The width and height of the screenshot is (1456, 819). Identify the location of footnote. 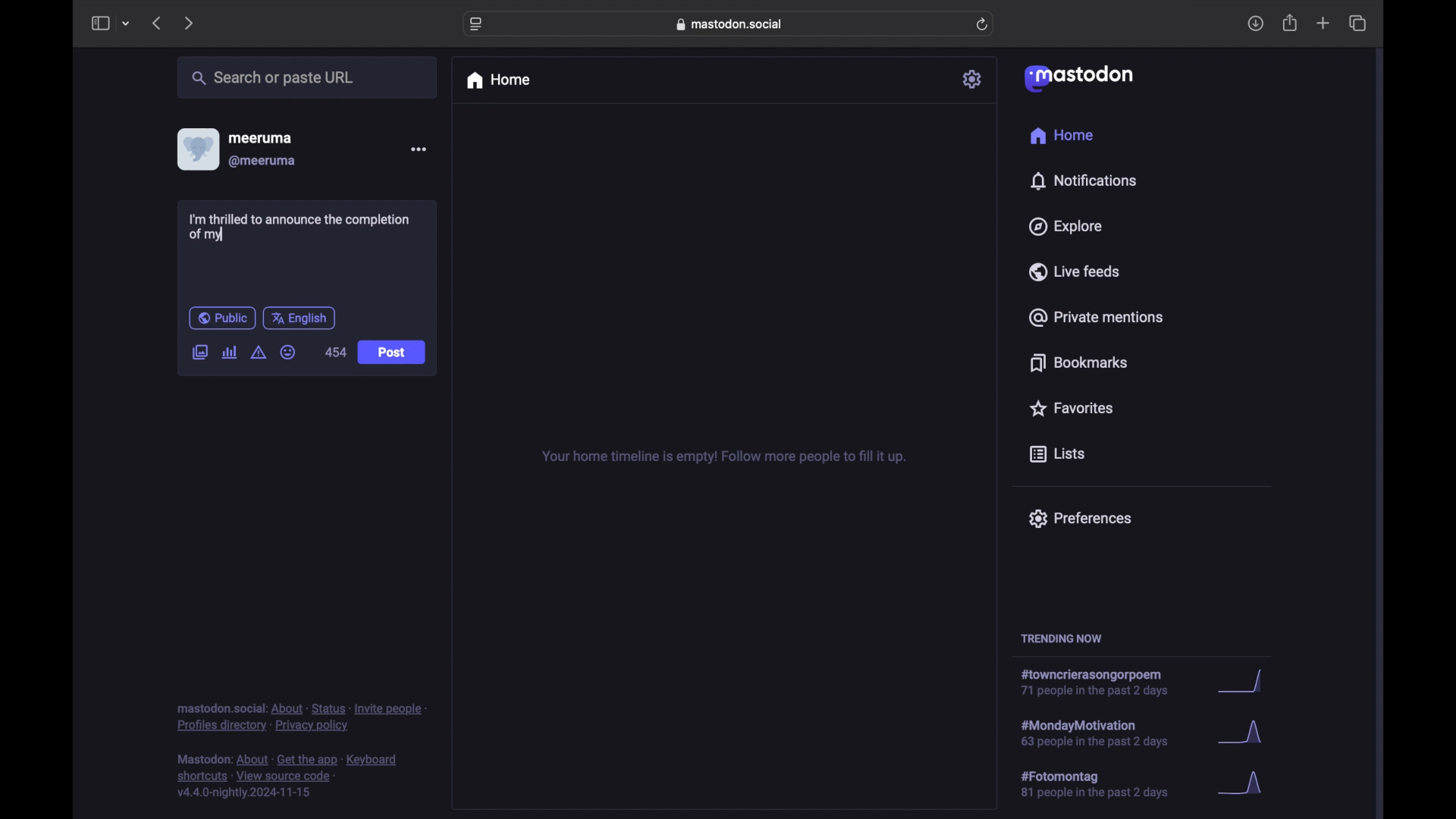
(287, 777).